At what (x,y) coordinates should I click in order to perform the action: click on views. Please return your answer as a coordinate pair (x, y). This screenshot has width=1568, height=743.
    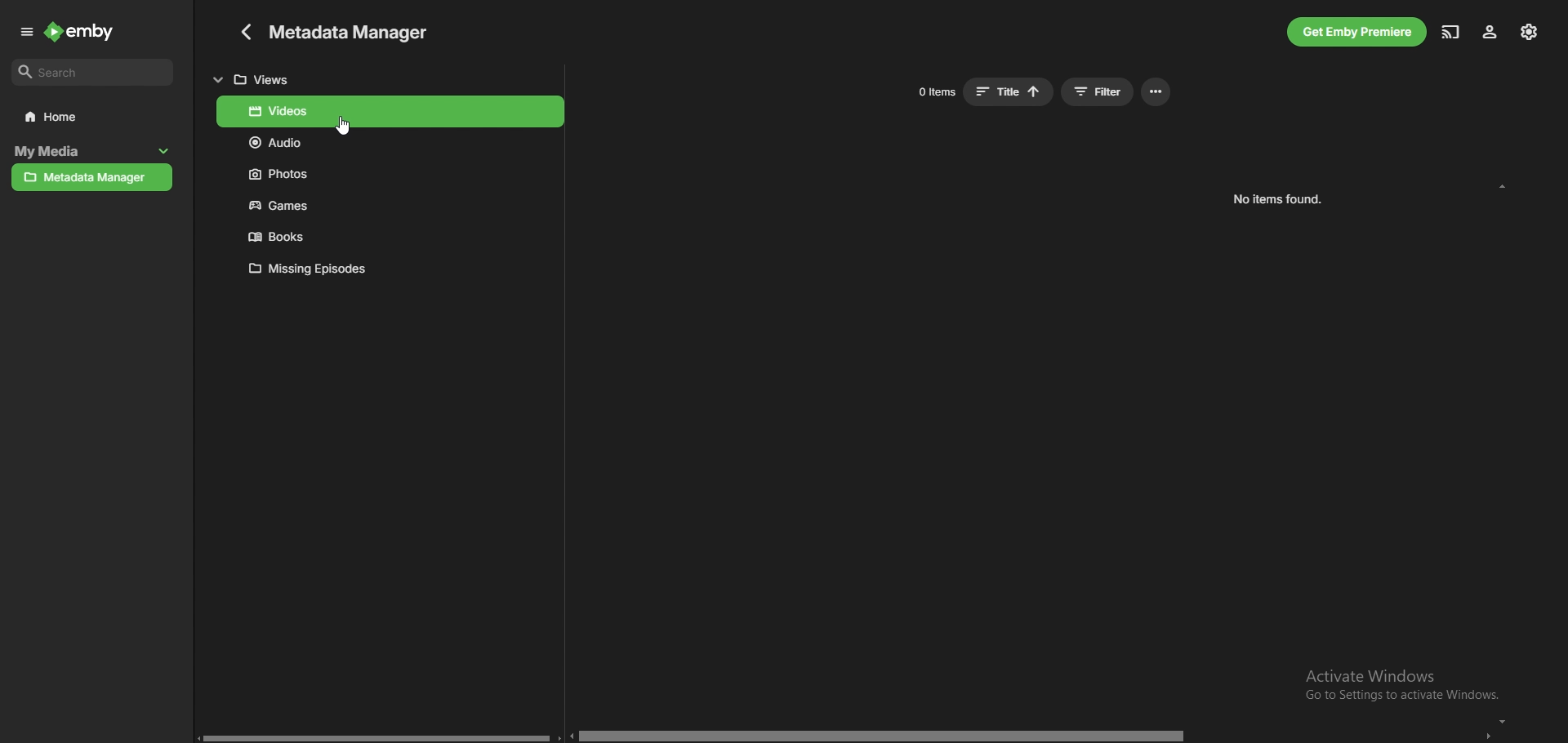
    Looking at the image, I should click on (388, 77).